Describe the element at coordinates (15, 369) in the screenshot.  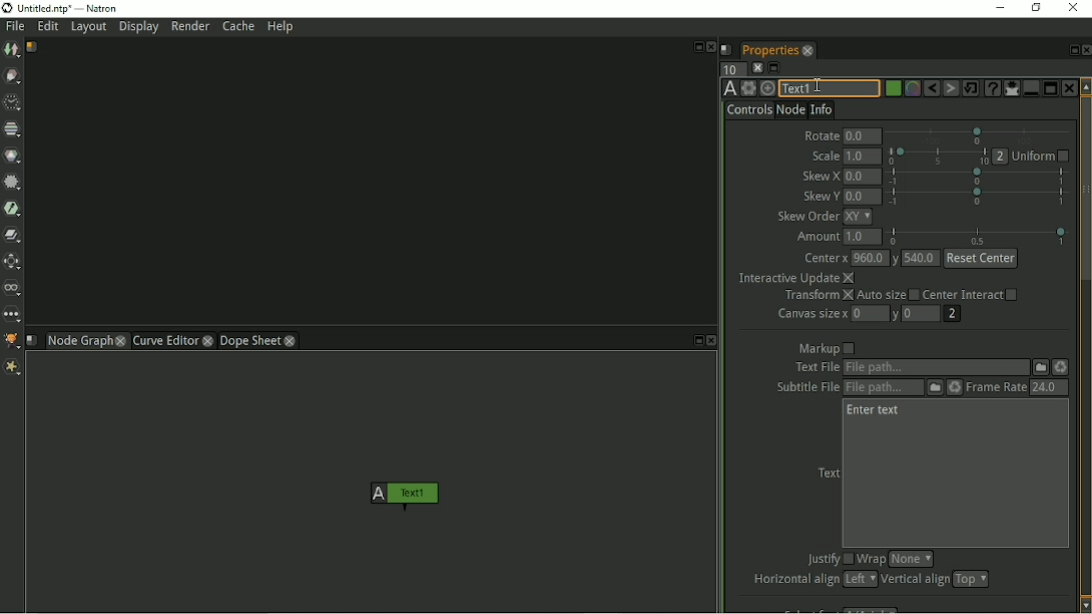
I see `Extra` at that location.